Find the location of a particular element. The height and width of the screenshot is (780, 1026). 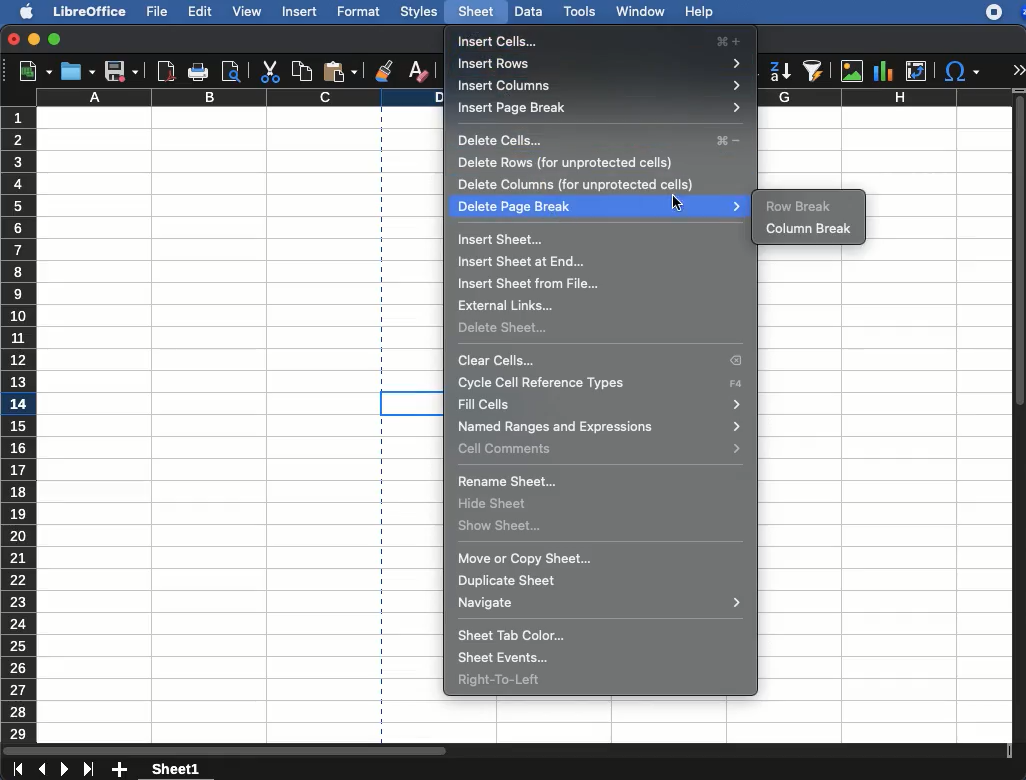

file is located at coordinates (155, 11).